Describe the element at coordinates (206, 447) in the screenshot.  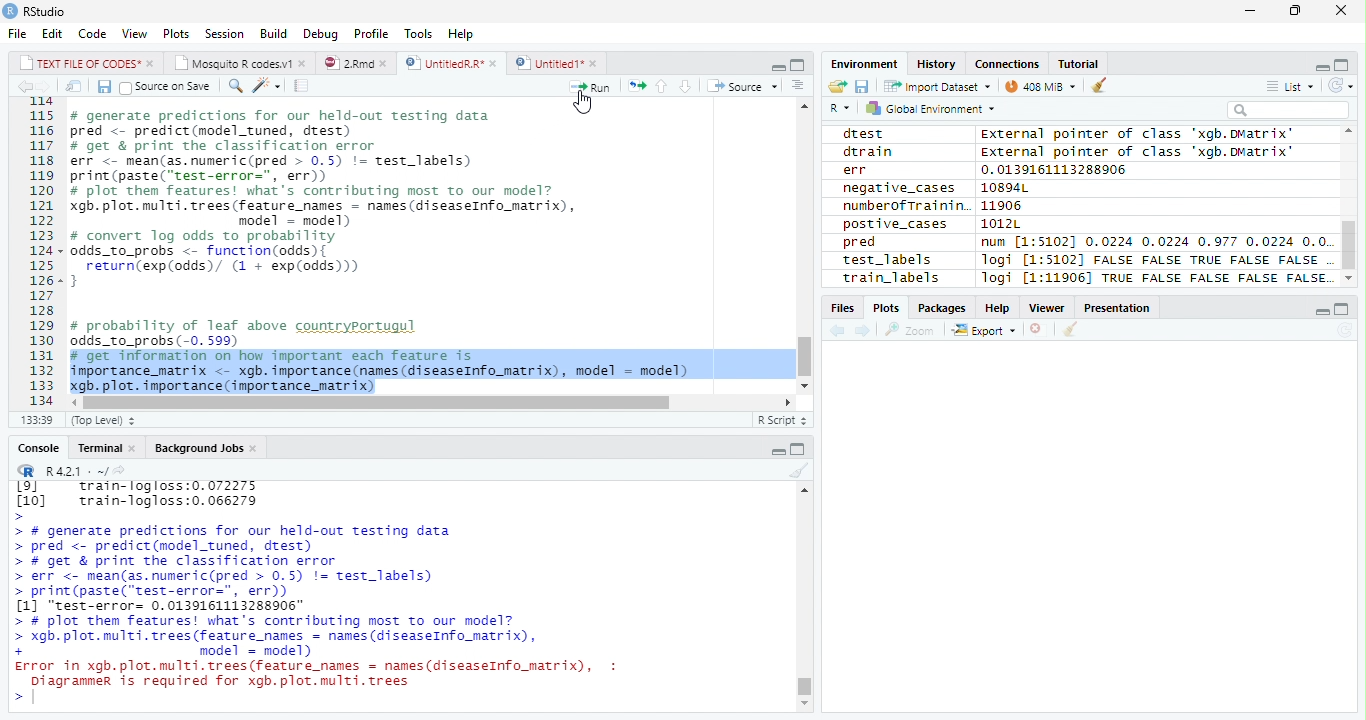
I see `Background Jobs` at that location.